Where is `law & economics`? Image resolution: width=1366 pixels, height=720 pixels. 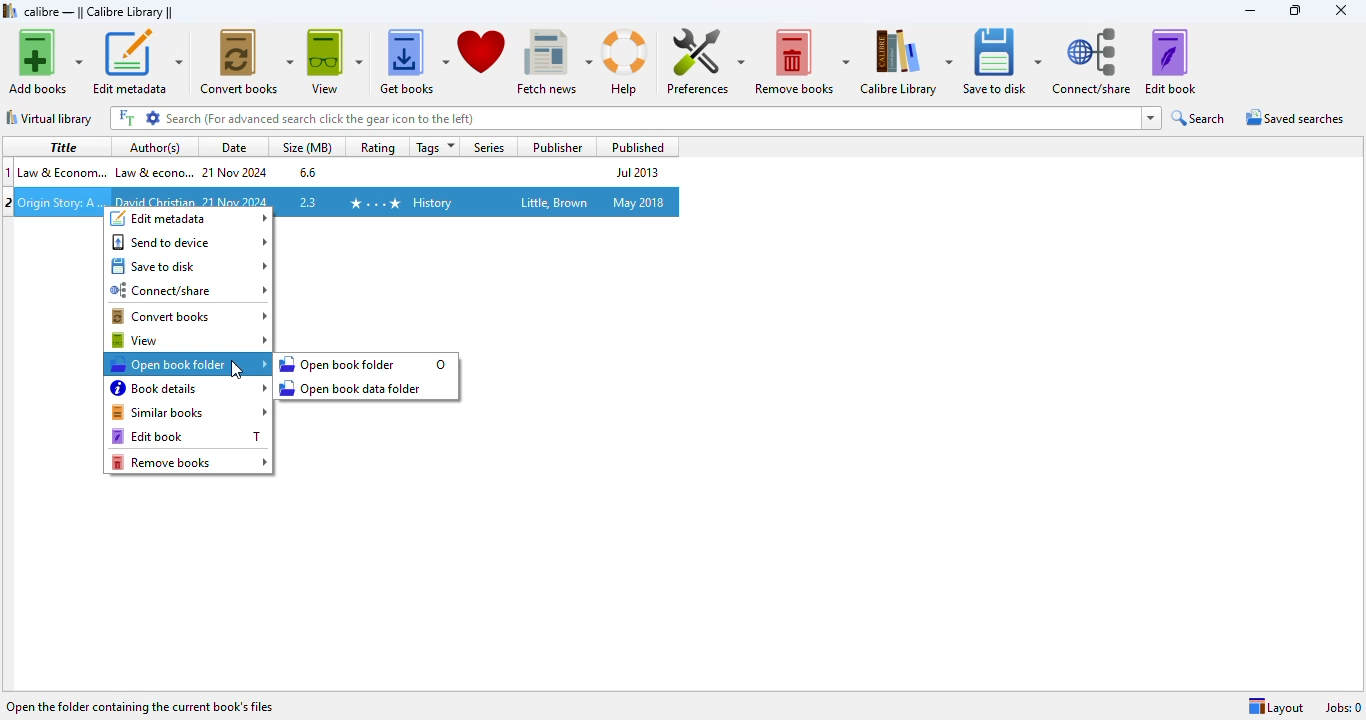 law & economics is located at coordinates (62, 171).